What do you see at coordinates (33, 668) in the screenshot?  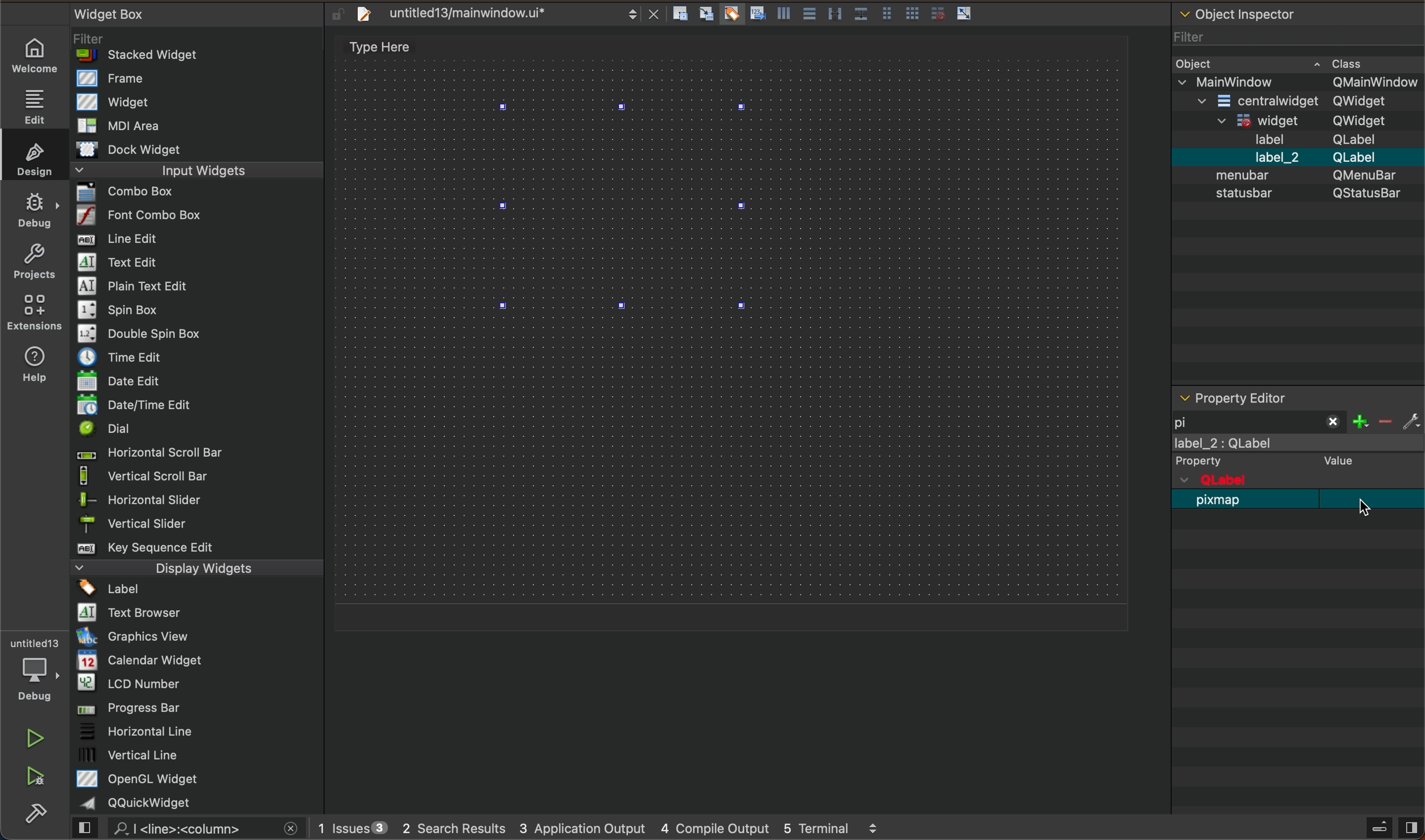 I see `debugger` at bounding box center [33, 668].